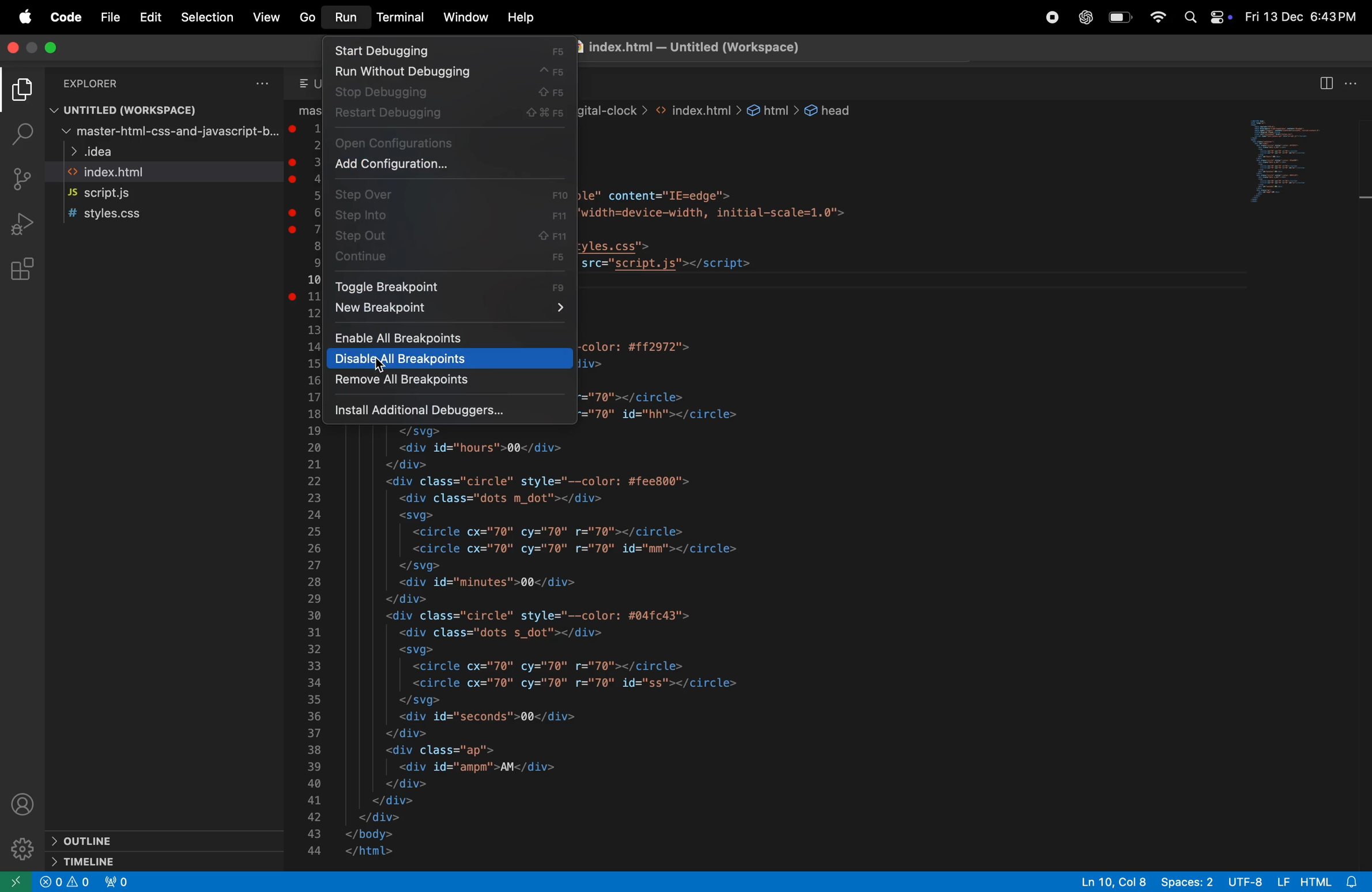  I want to click on options, so click(258, 85).